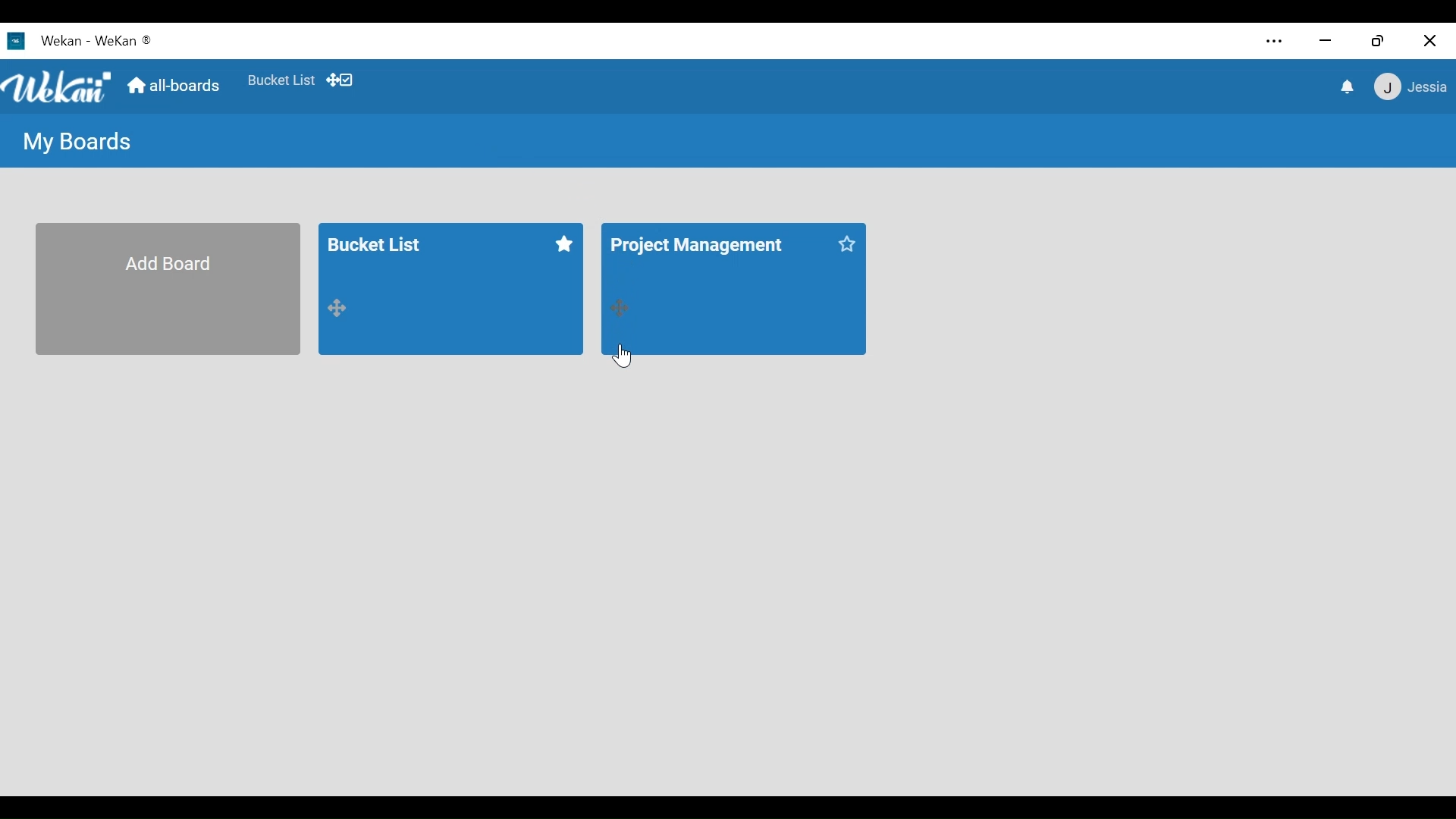 The height and width of the screenshot is (819, 1456). I want to click on My Boards, so click(74, 143).